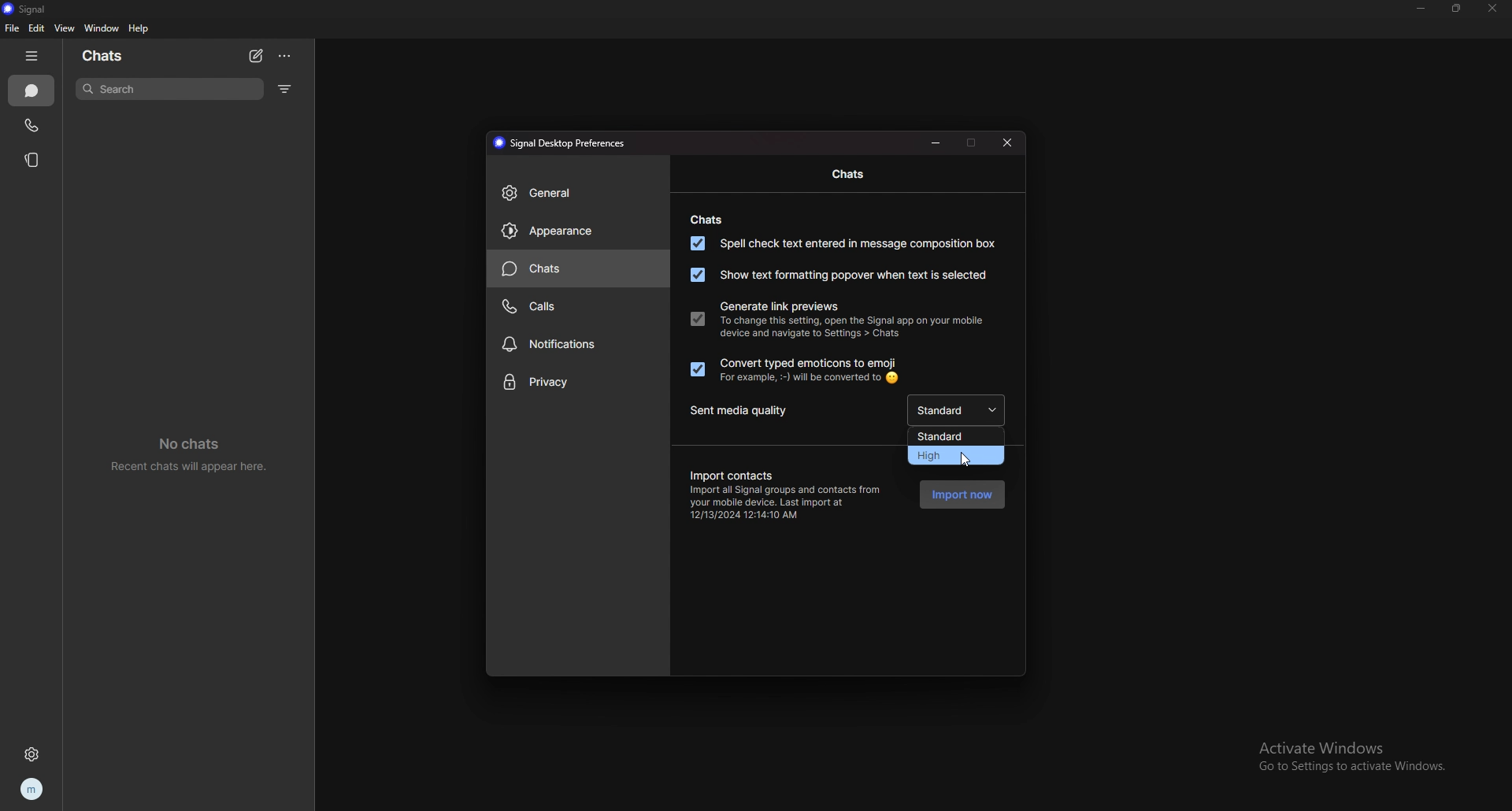 Image resolution: width=1512 pixels, height=811 pixels. Describe the element at coordinates (836, 276) in the screenshot. I see `show text formatting popover when text is selected` at that location.